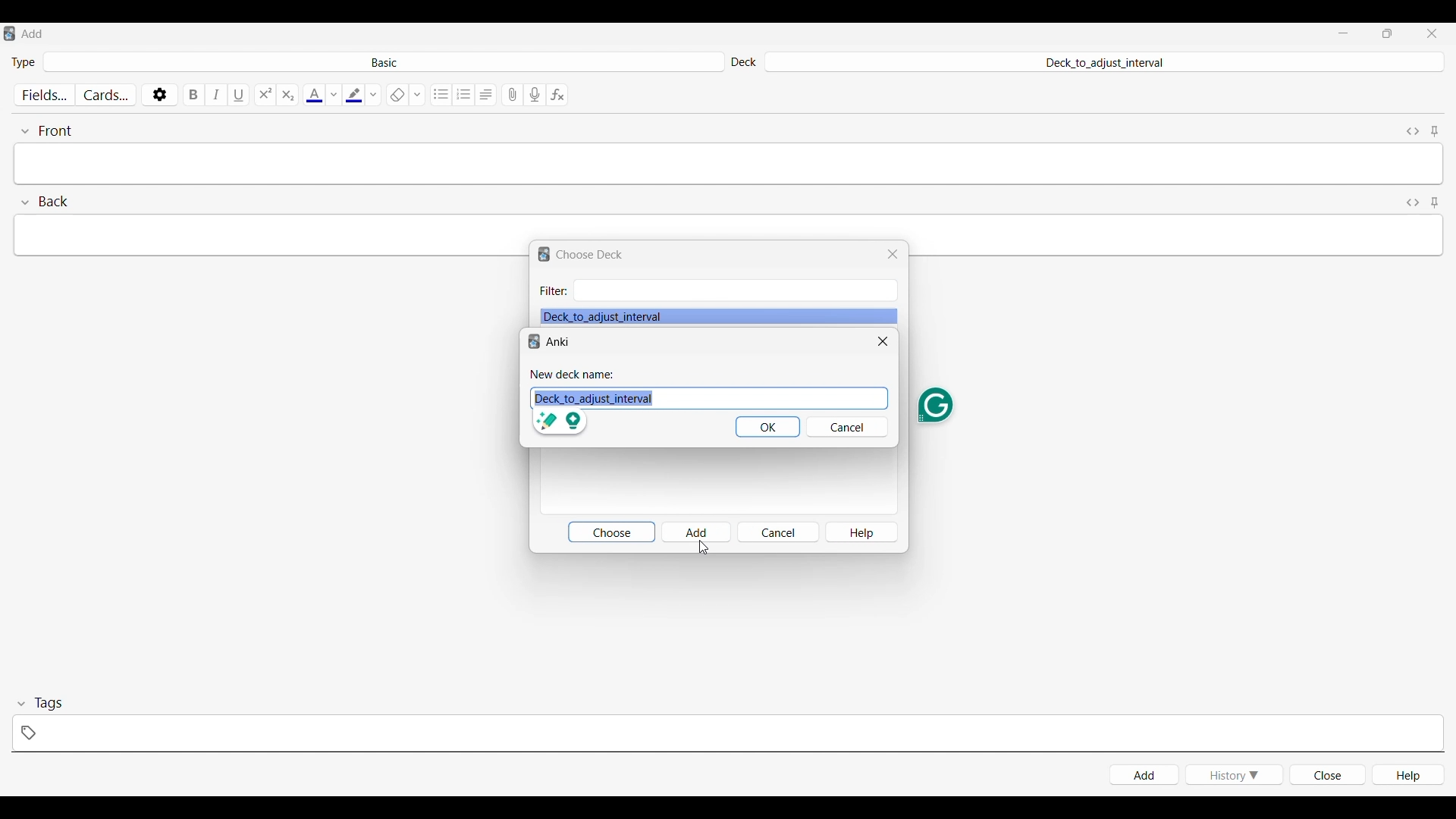 This screenshot has height=819, width=1456. What do you see at coordinates (883, 341) in the screenshot?
I see `Close window` at bounding box center [883, 341].